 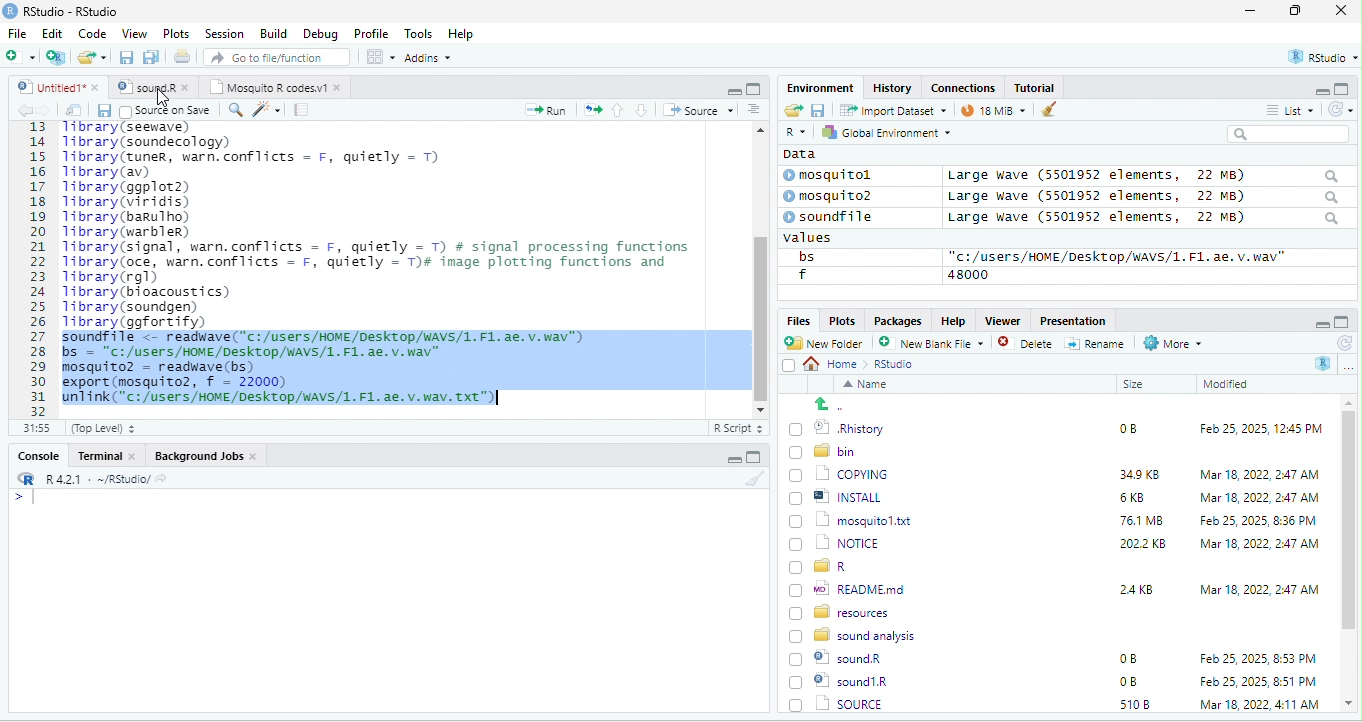 I want to click on 76.1 MB, so click(x=1141, y=519).